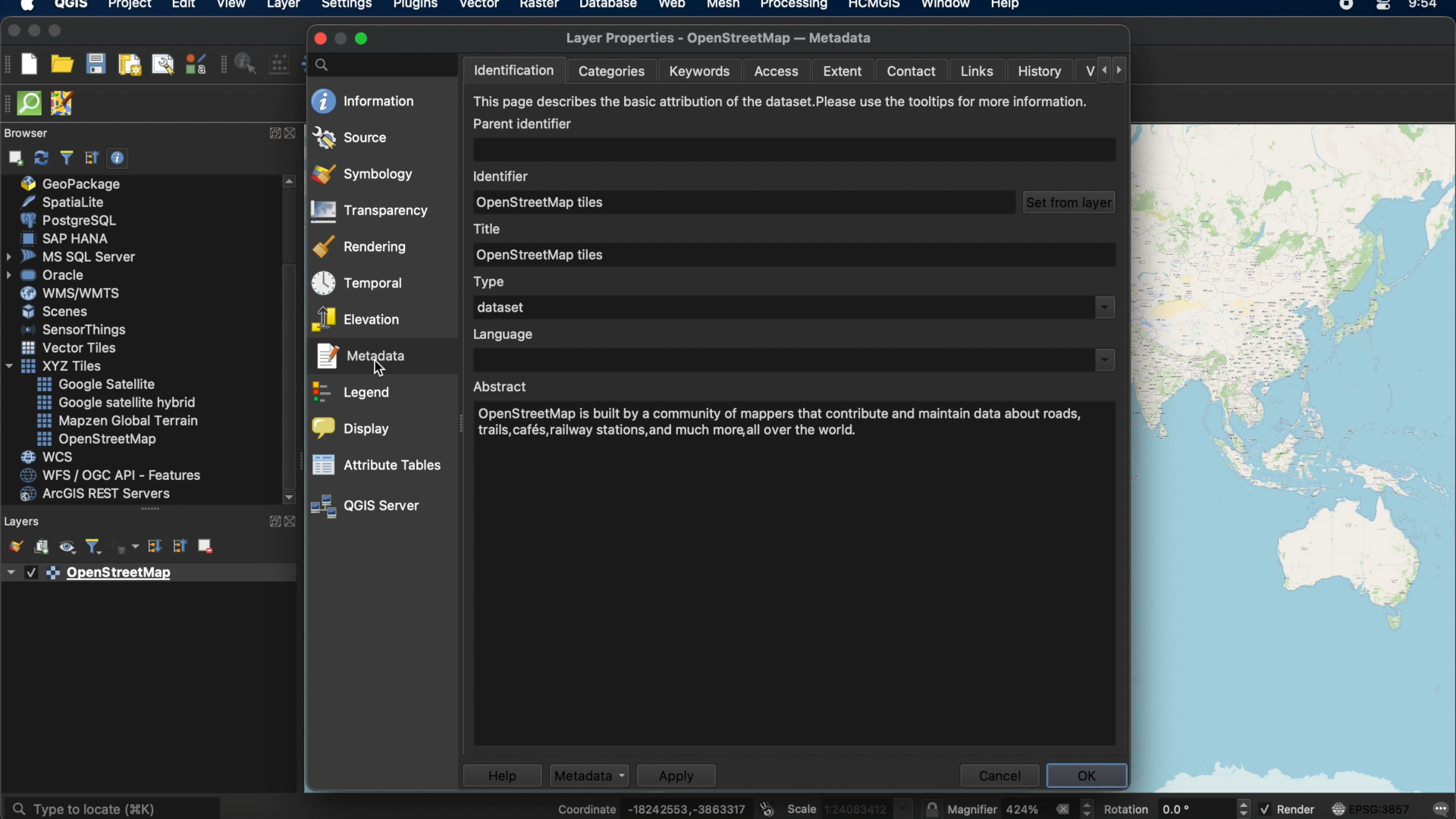  Describe the element at coordinates (224, 66) in the screenshot. I see `attributes toolbar` at that location.